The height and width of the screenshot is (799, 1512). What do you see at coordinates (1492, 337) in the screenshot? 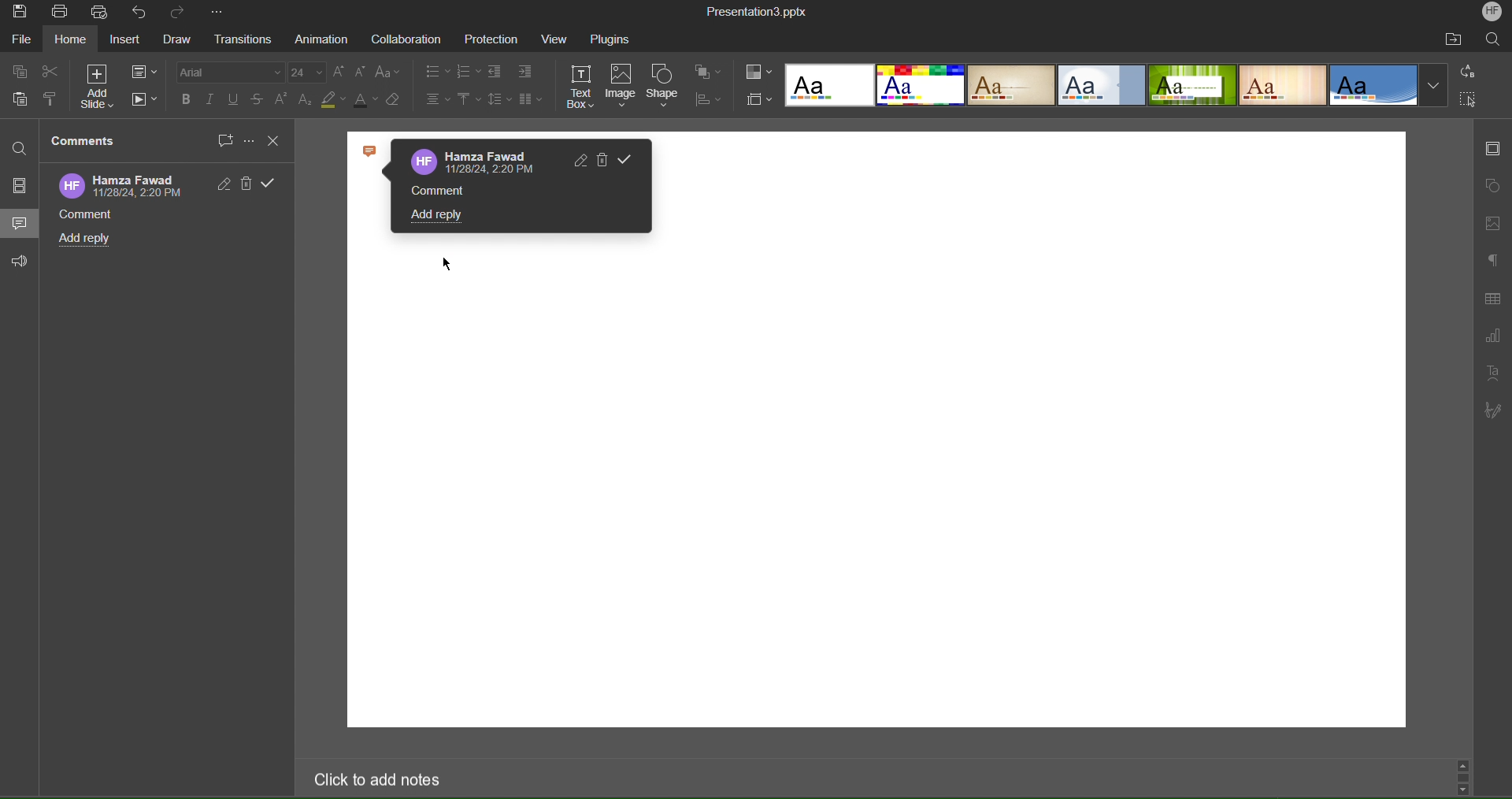
I see `Graph Settings` at bounding box center [1492, 337].